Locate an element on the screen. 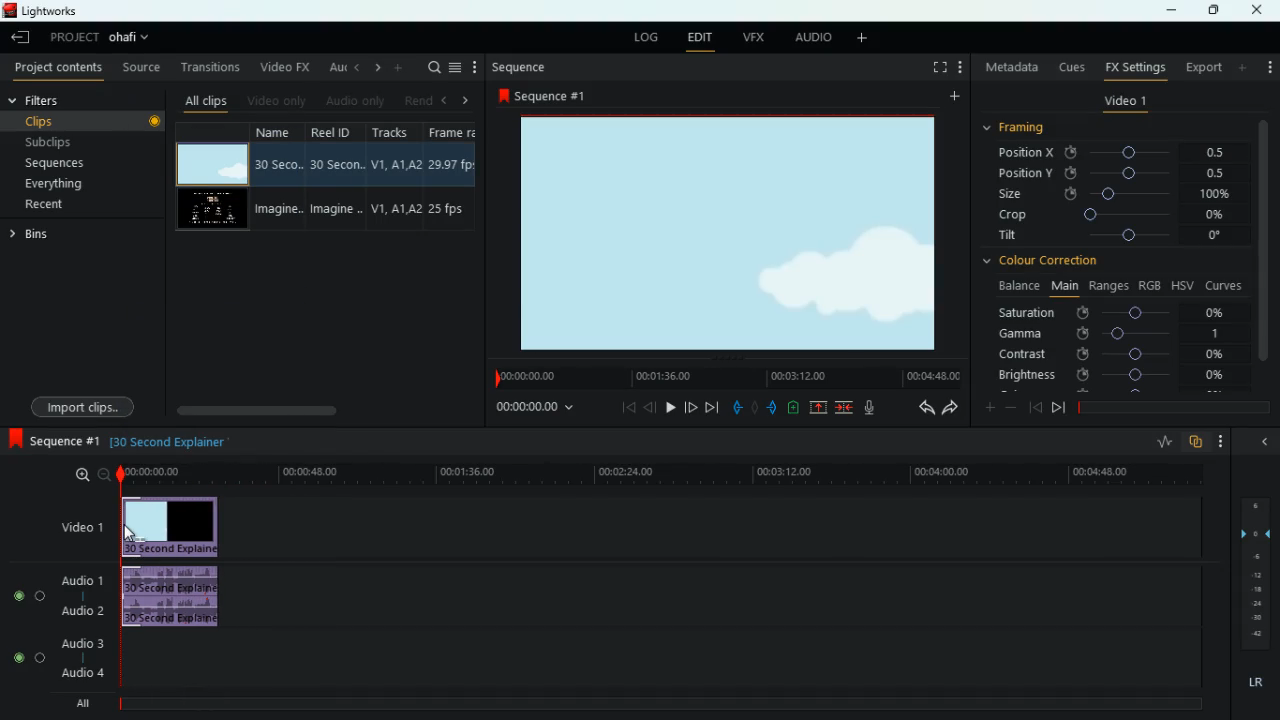 The image size is (1280, 720). fps is located at coordinates (449, 178).